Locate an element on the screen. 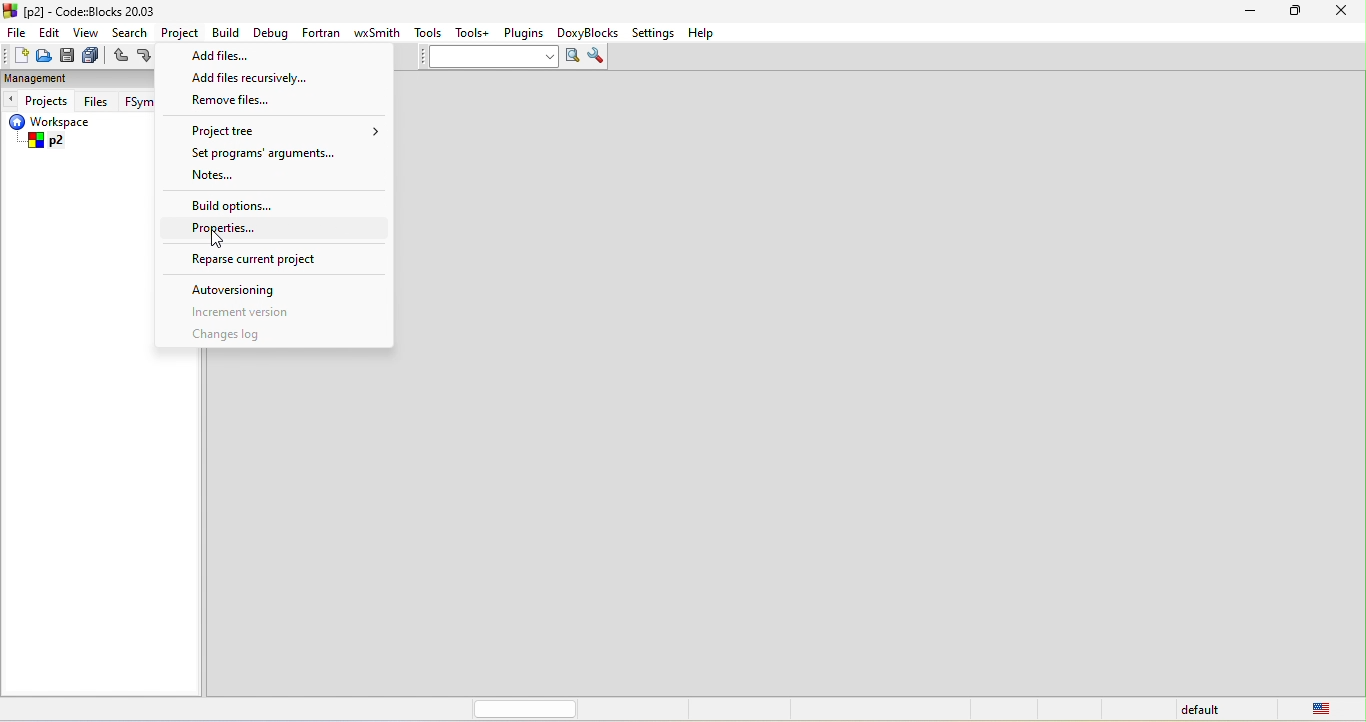  add files recursively is located at coordinates (249, 77).